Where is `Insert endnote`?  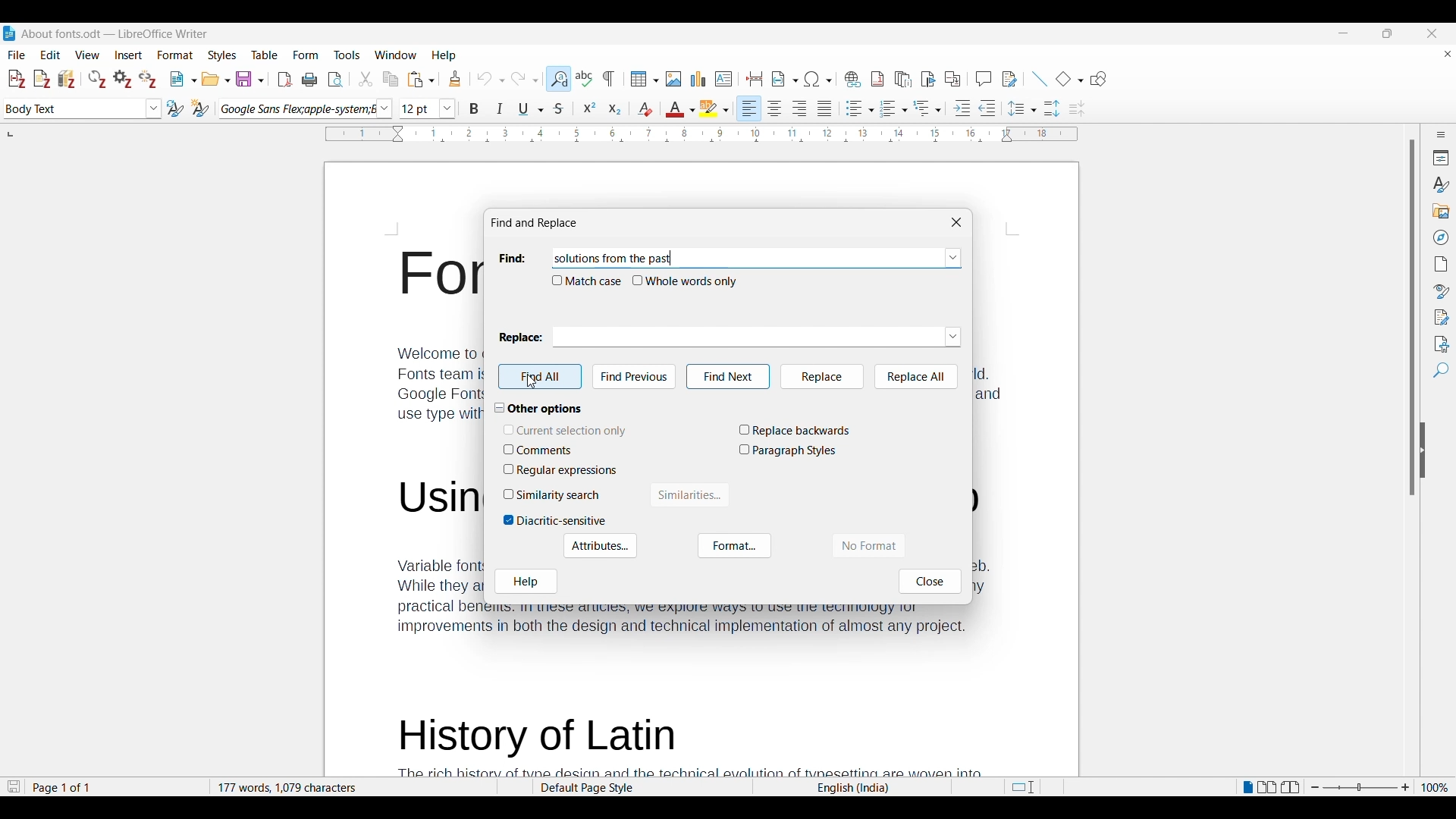 Insert endnote is located at coordinates (904, 79).